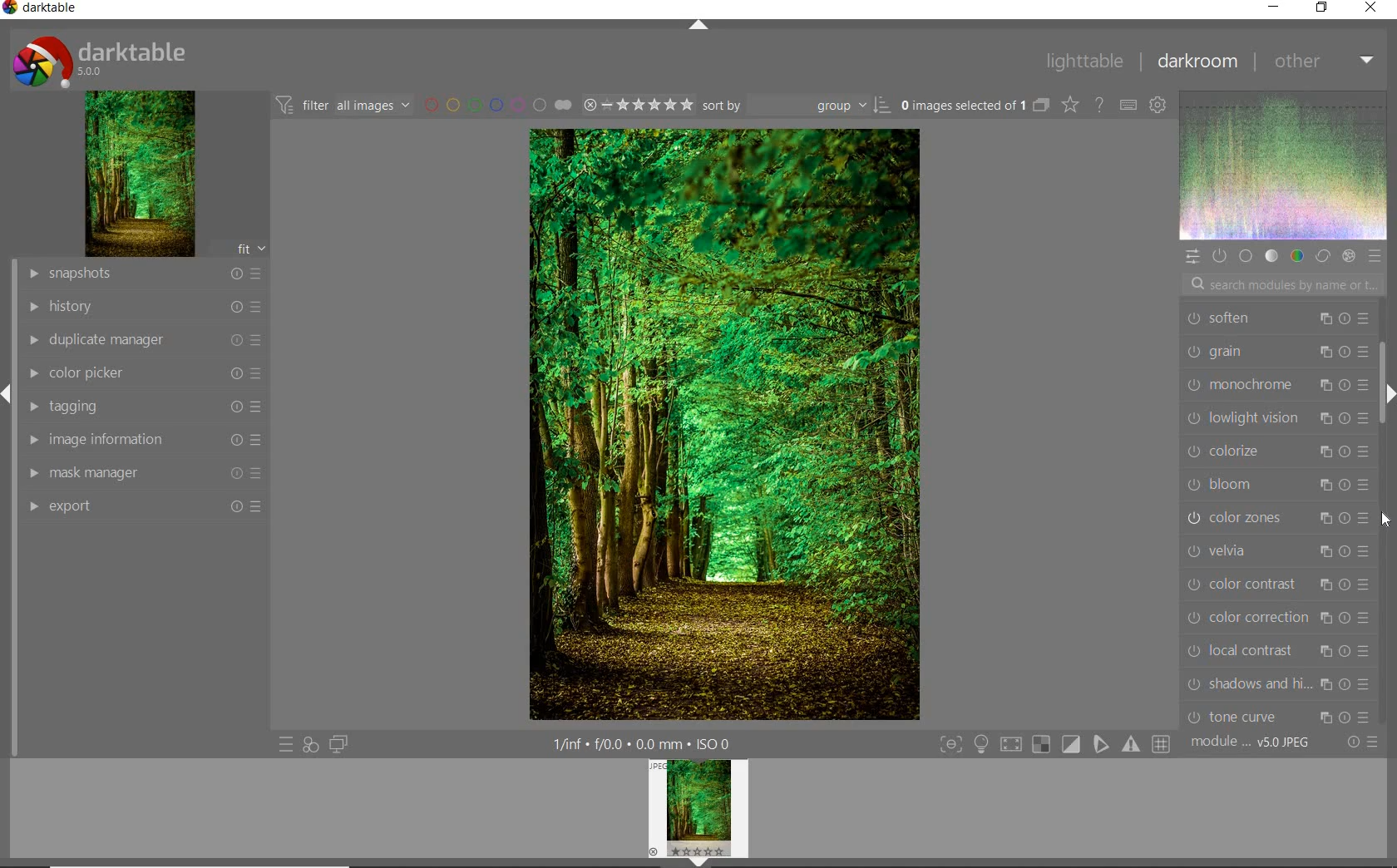 The image size is (1397, 868). Describe the element at coordinates (101, 59) in the screenshot. I see `SYSTEM LOGO & NAME` at that location.